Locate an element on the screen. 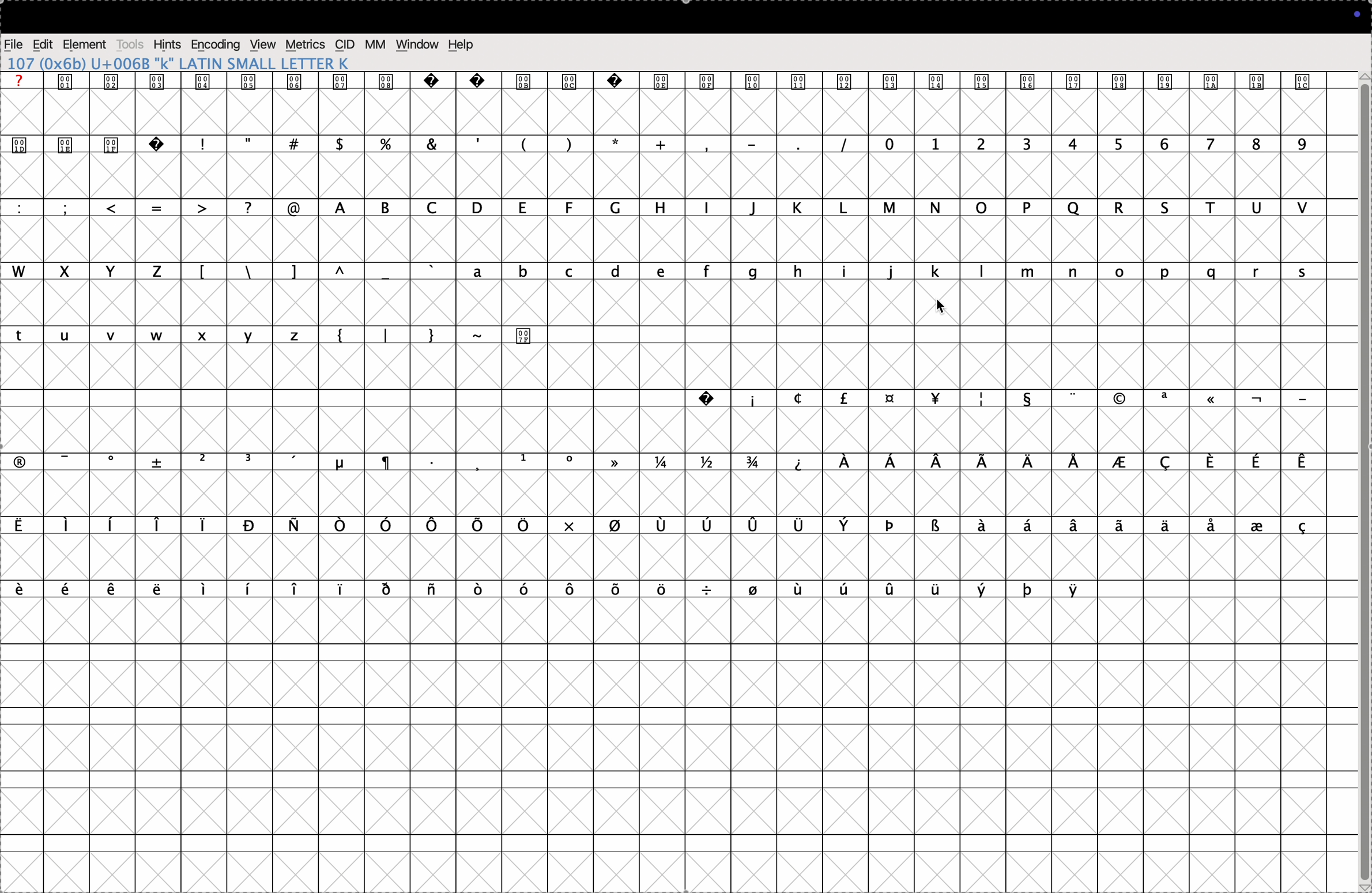  m is located at coordinates (891, 208).